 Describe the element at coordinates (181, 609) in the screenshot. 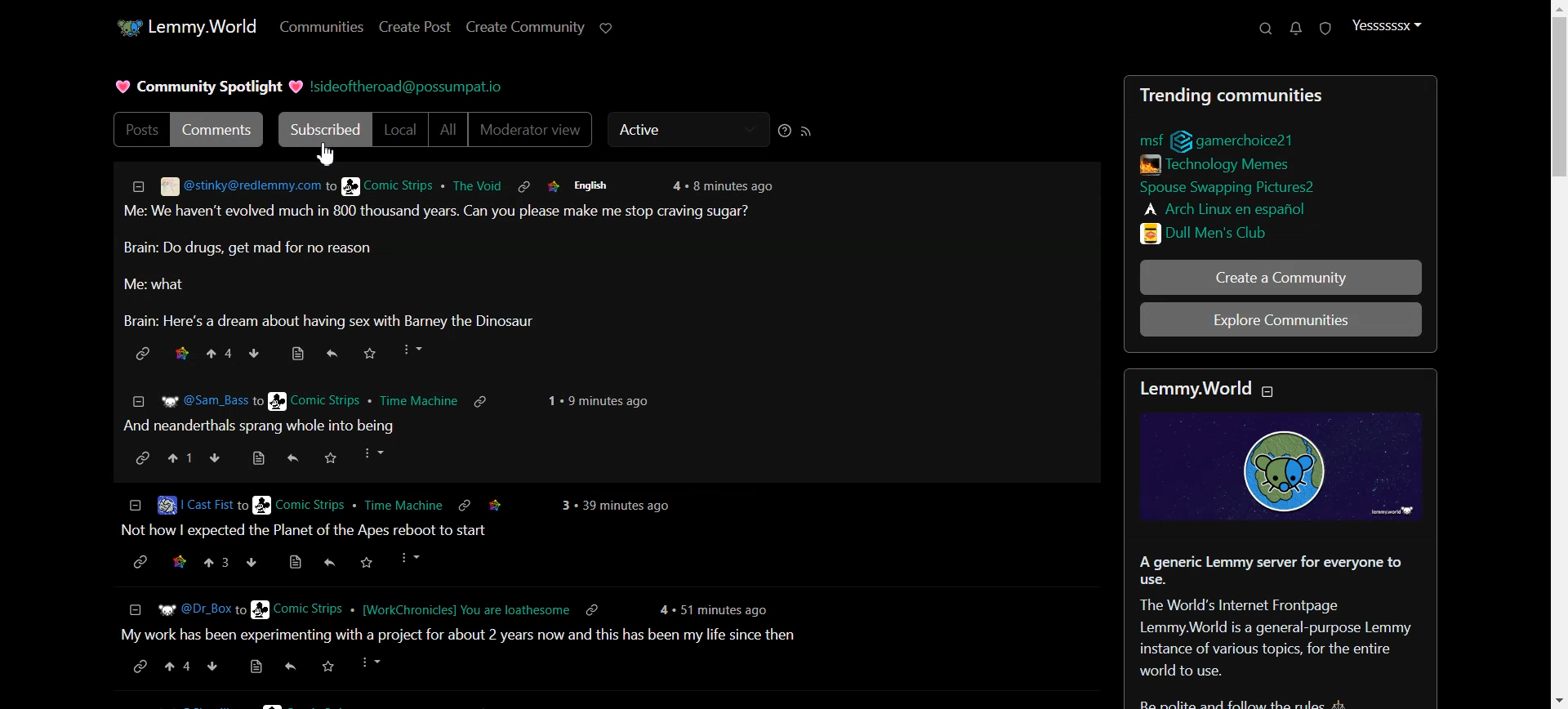

I see `username` at that location.